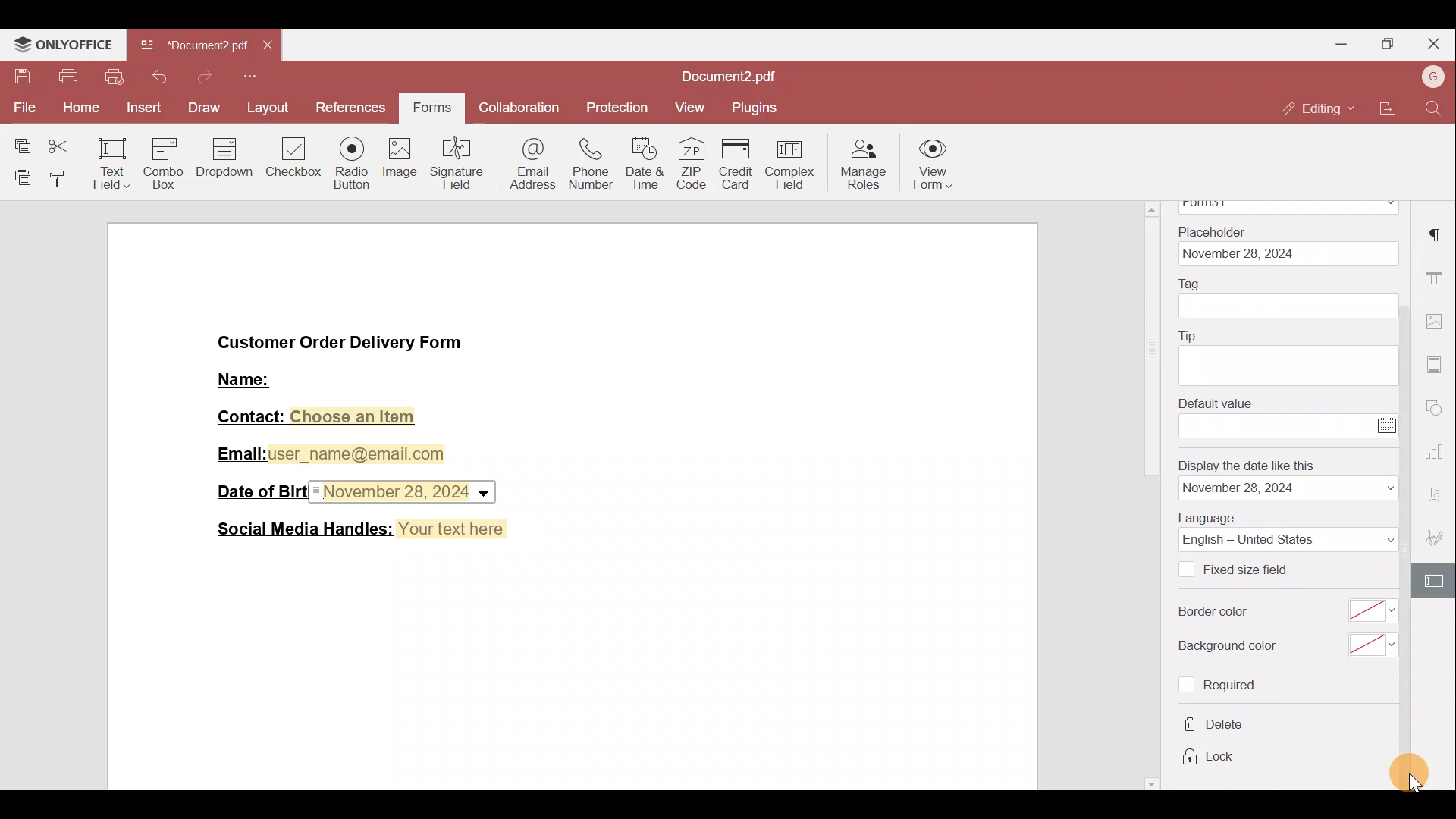 The image size is (1456, 819). I want to click on Cut, so click(62, 143).